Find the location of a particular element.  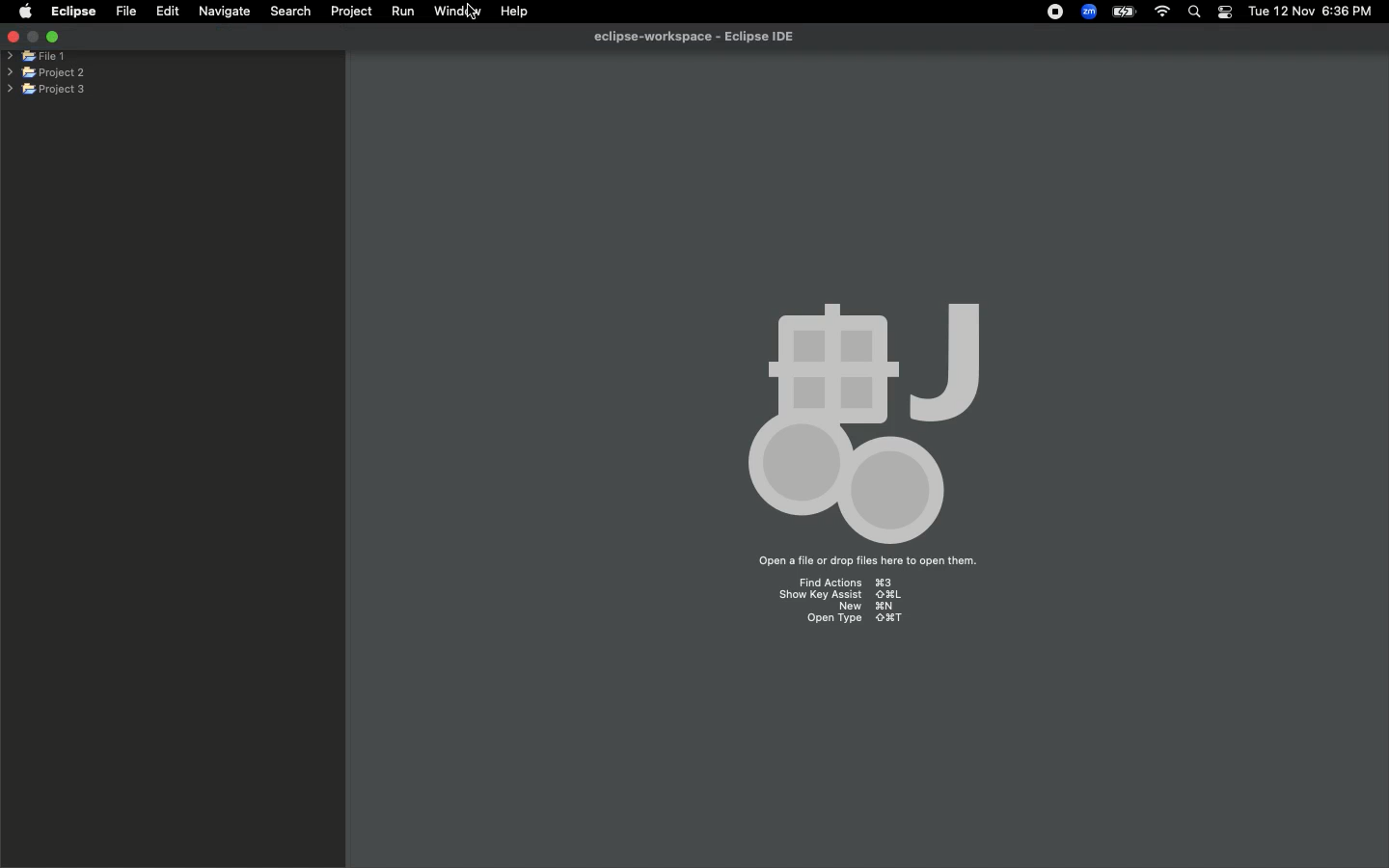

Eclipse IDE is located at coordinates (691, 38).